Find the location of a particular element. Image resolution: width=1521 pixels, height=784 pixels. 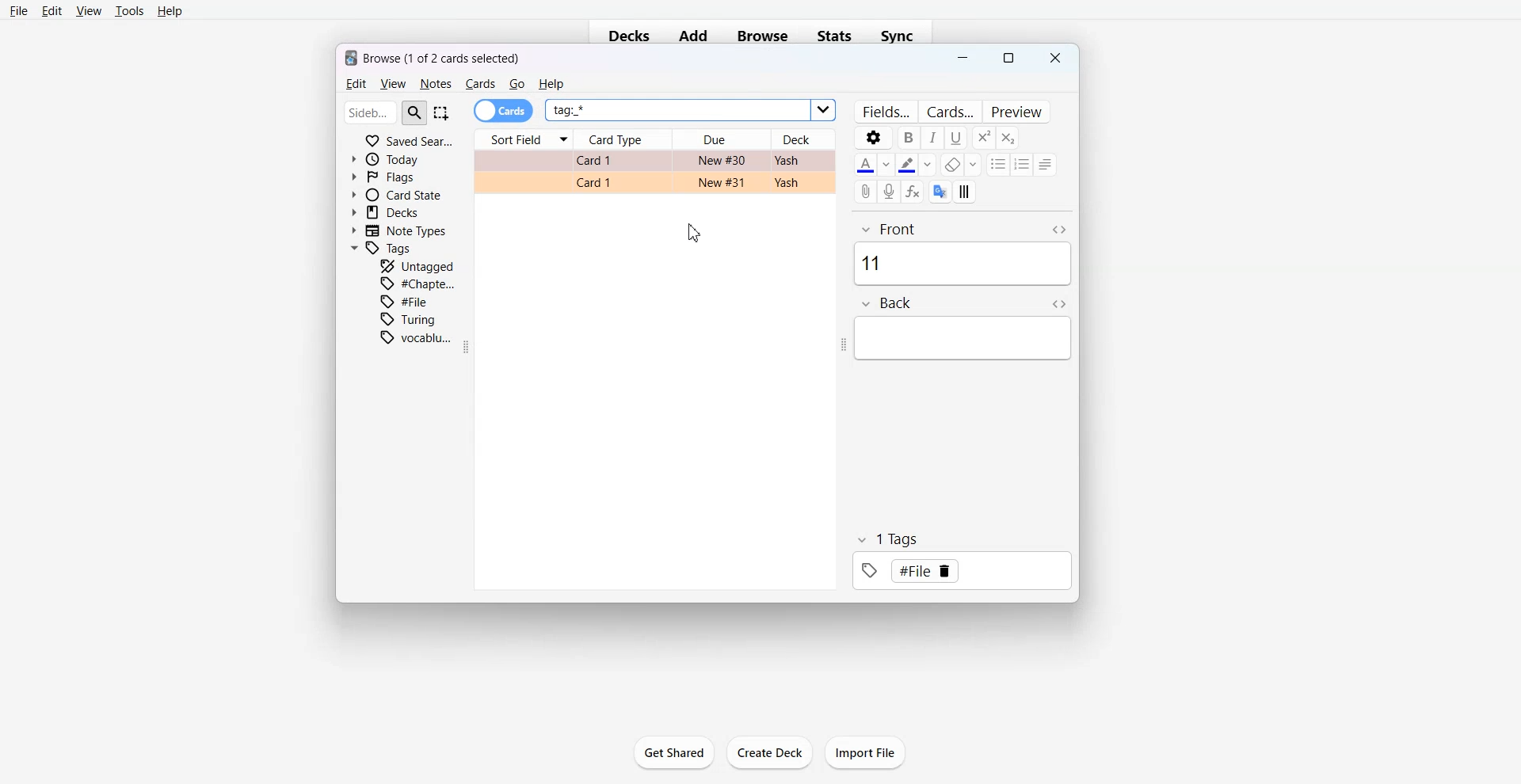

Search Bar is located at coordinates (386, 112).